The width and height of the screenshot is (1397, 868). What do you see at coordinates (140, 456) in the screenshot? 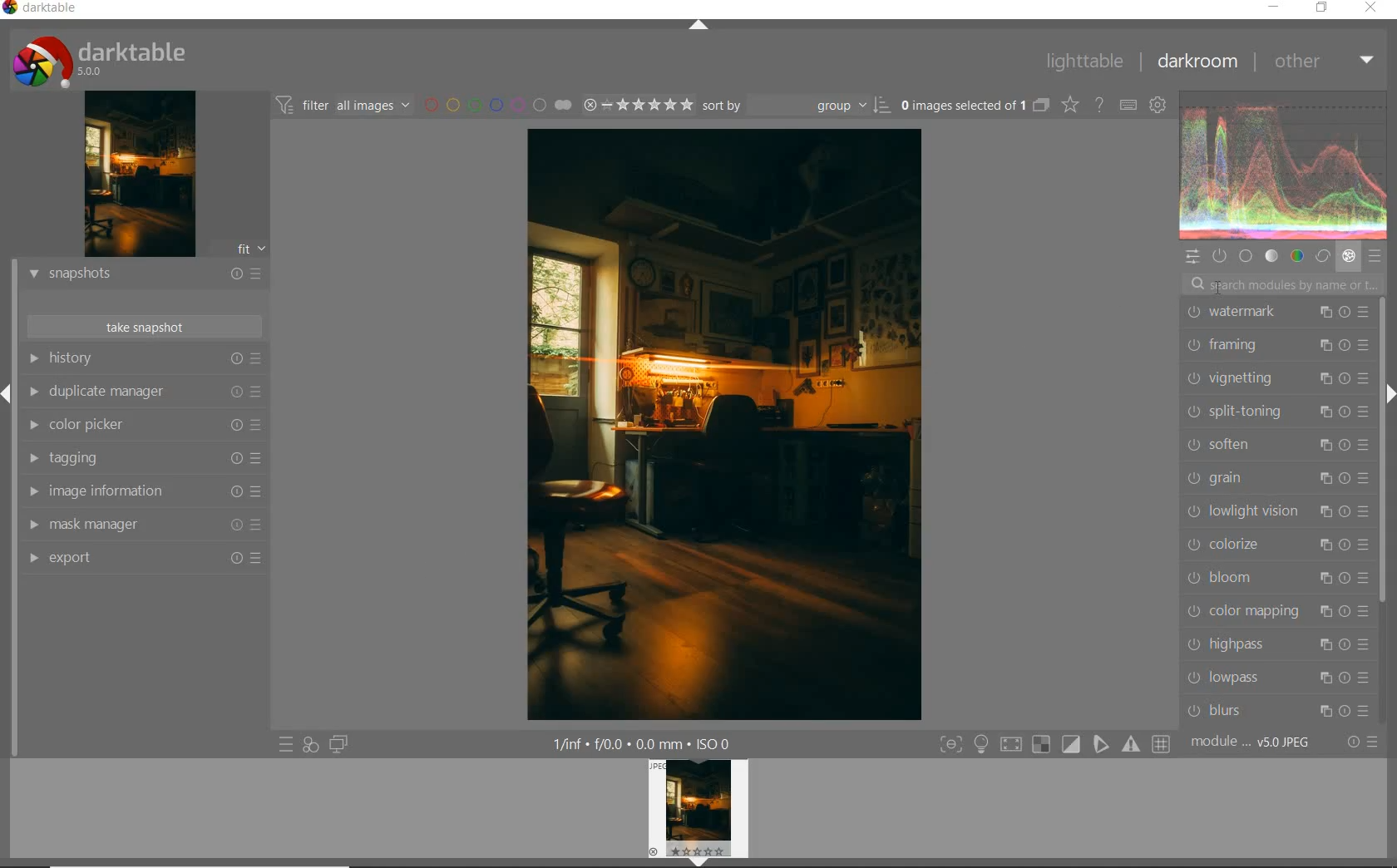
I see `tagging` at bounding box center [140, 456].